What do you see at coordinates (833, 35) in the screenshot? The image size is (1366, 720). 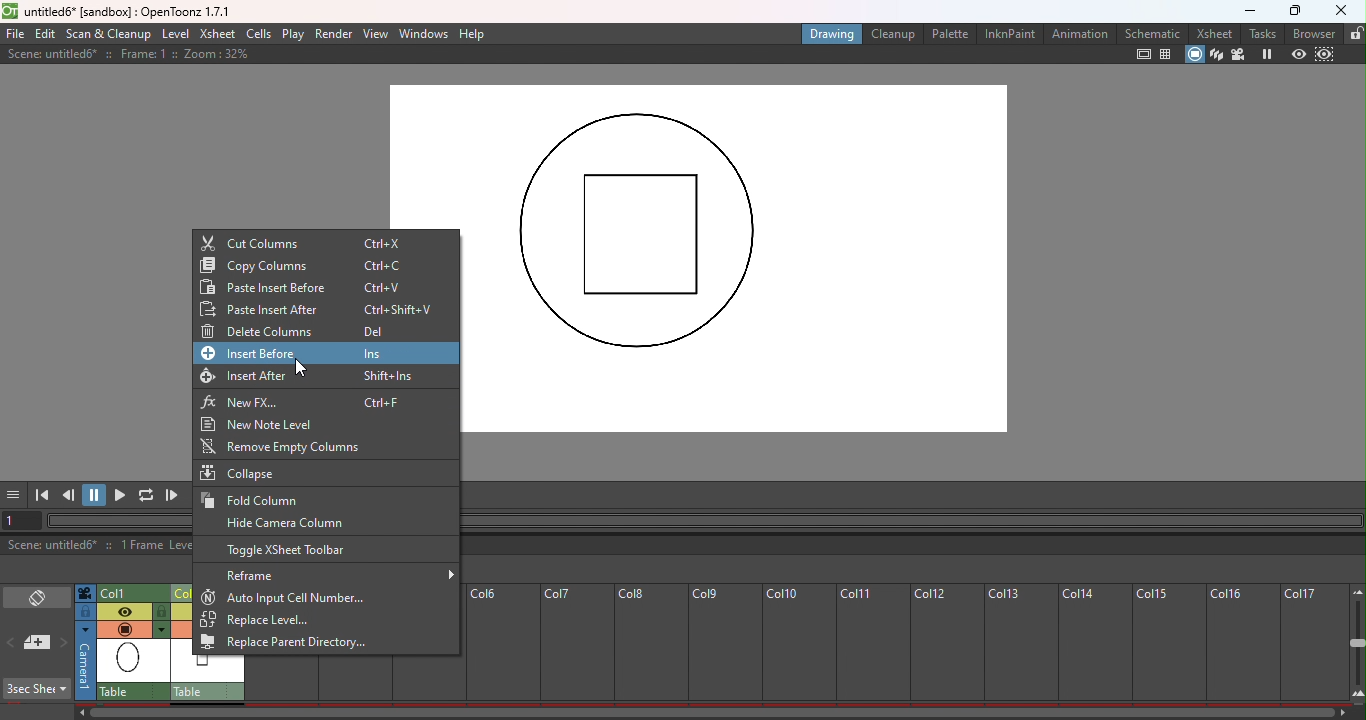 I see `Drawing` at bounding box center [833, 35].